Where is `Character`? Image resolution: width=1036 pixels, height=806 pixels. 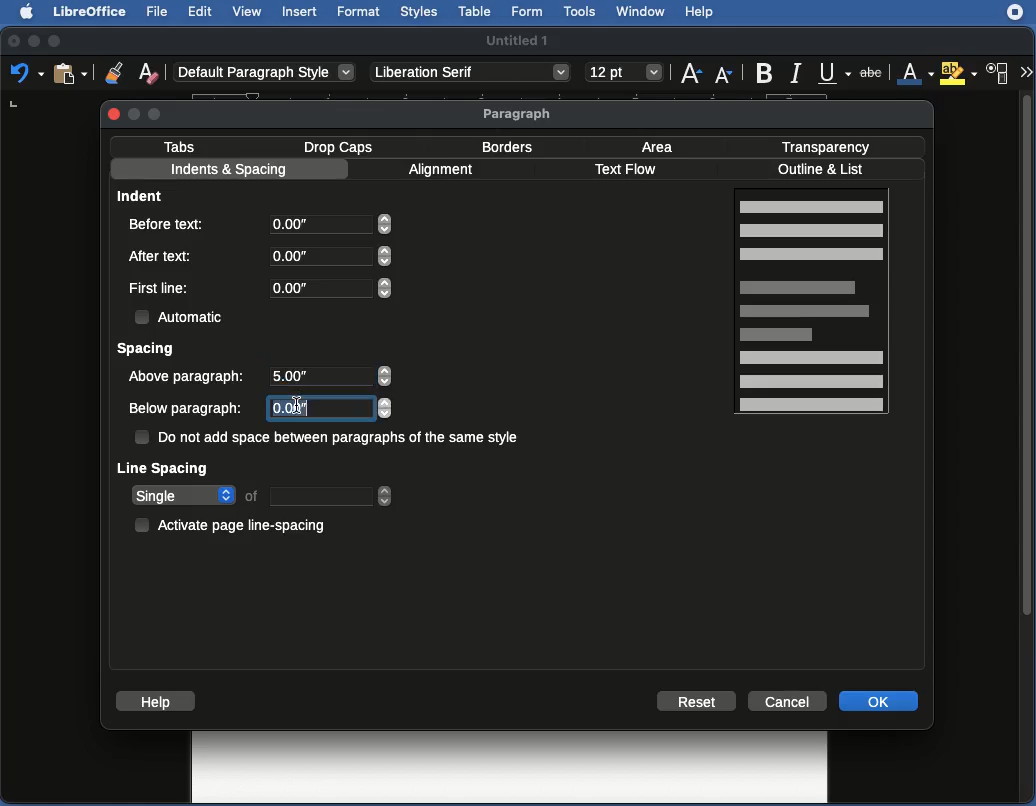 Character is located at coordinates (998, 74).